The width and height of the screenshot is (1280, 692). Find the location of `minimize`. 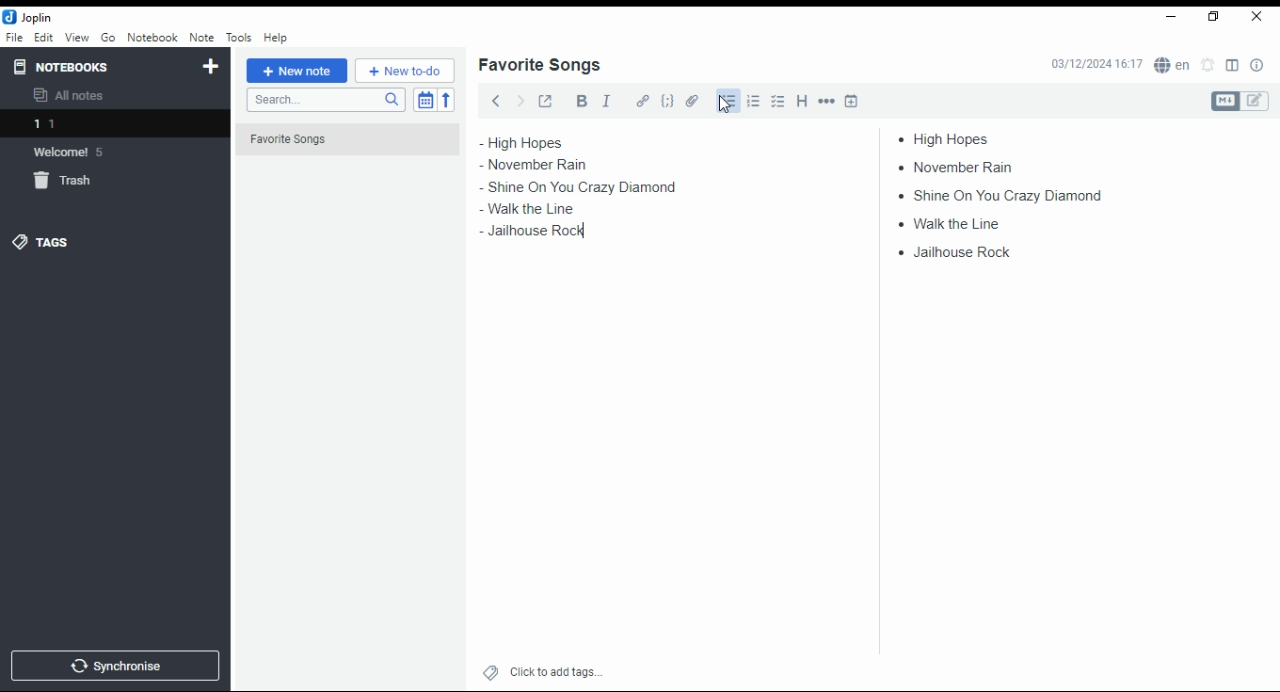

minimize is located at coordinates (1168, 18).